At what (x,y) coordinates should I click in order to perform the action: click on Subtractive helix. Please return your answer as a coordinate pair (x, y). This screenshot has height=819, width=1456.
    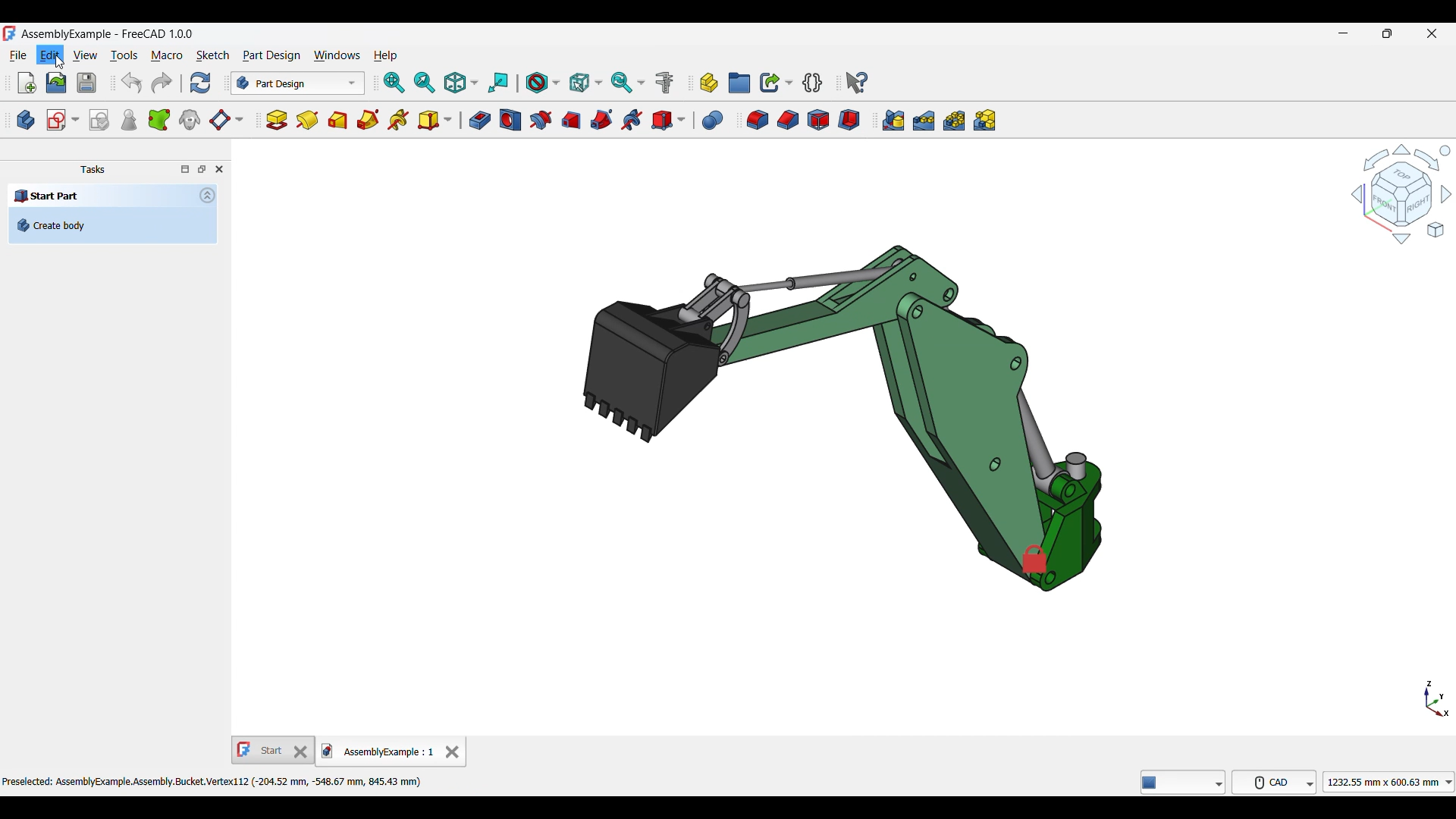
    Looking at the image, I should click on (632, 120).